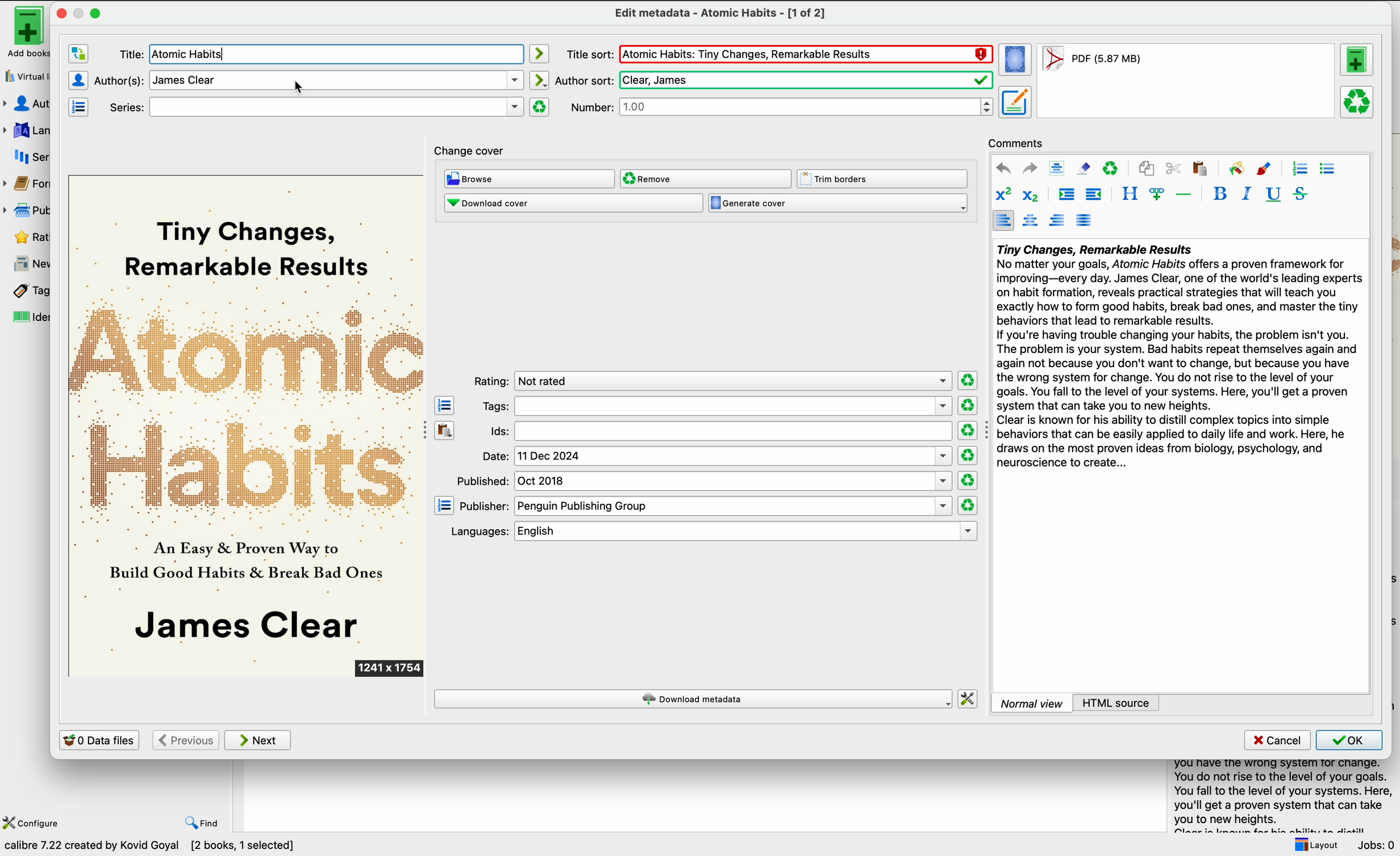 The width and height of the screenshot is (1400, 856). What do you see at coordinates (773, 79) in the screenshot?
I see `author sort:` at bounding box center [773, 79].